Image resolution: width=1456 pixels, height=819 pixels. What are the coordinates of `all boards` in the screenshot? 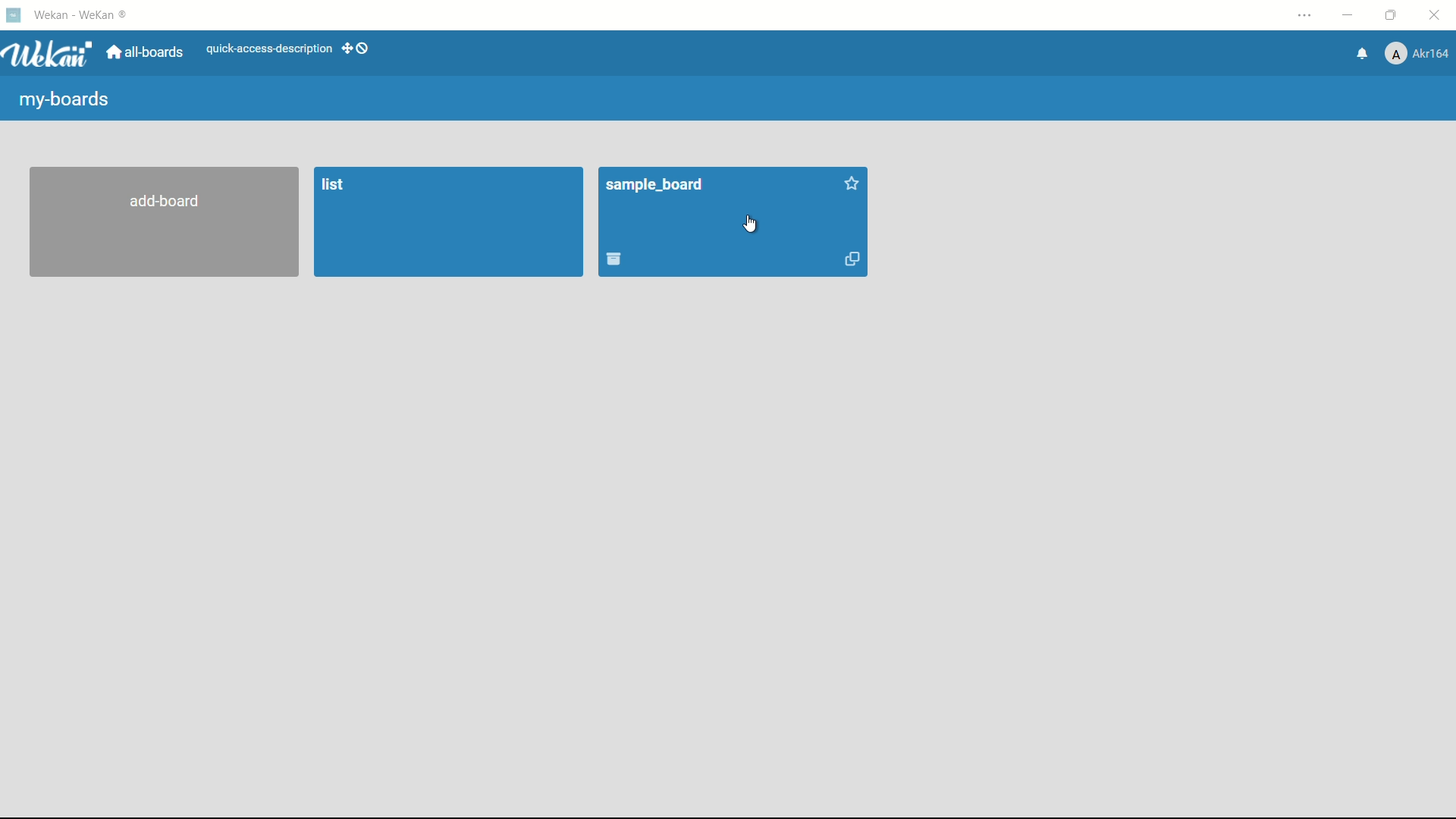 It's located at (148, 52).